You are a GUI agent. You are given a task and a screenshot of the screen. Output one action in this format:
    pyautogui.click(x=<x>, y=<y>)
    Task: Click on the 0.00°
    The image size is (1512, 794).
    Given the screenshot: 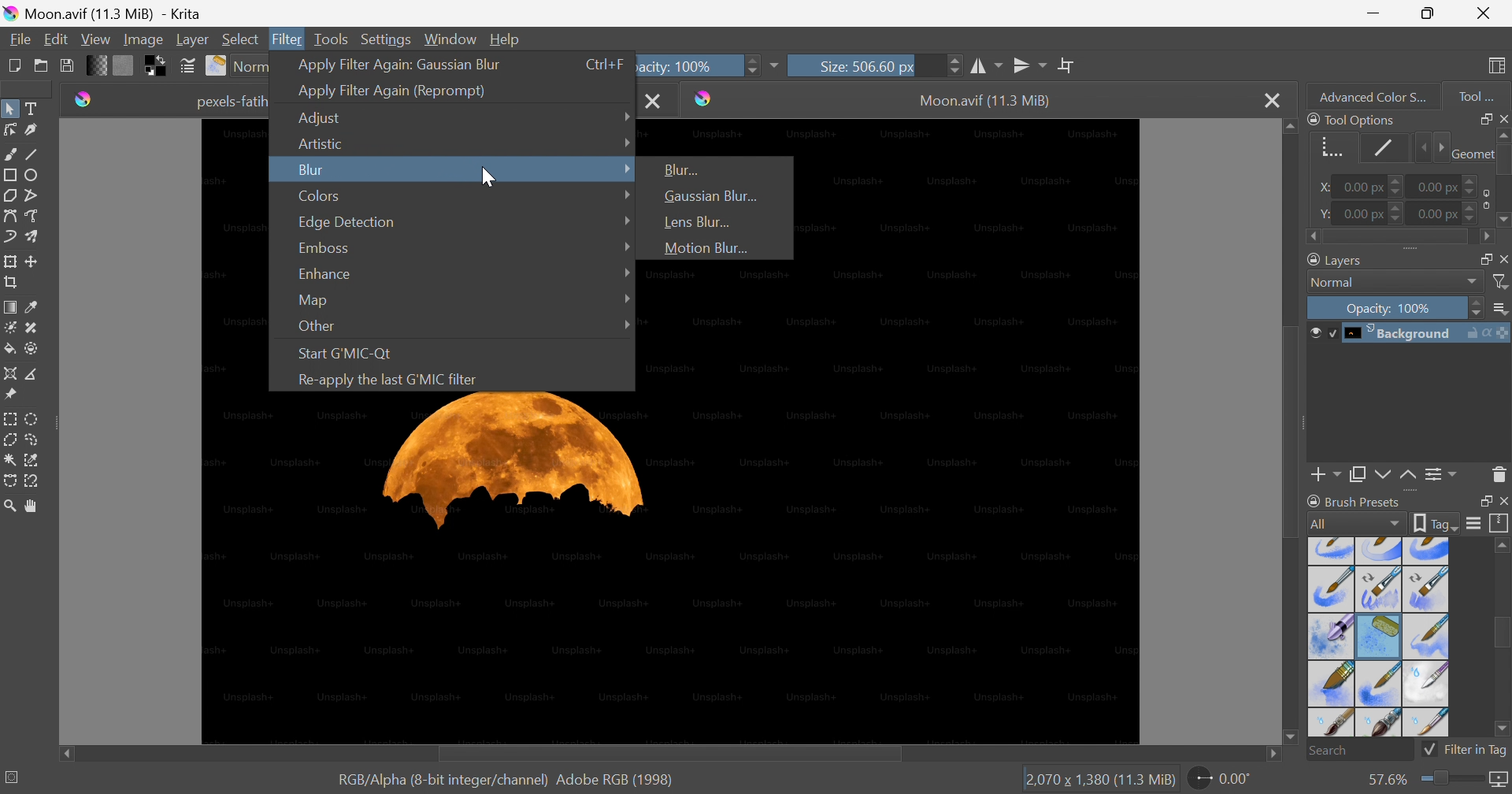 What is the action you would take?
    pyautogui.click(x=1222, y=777)
    